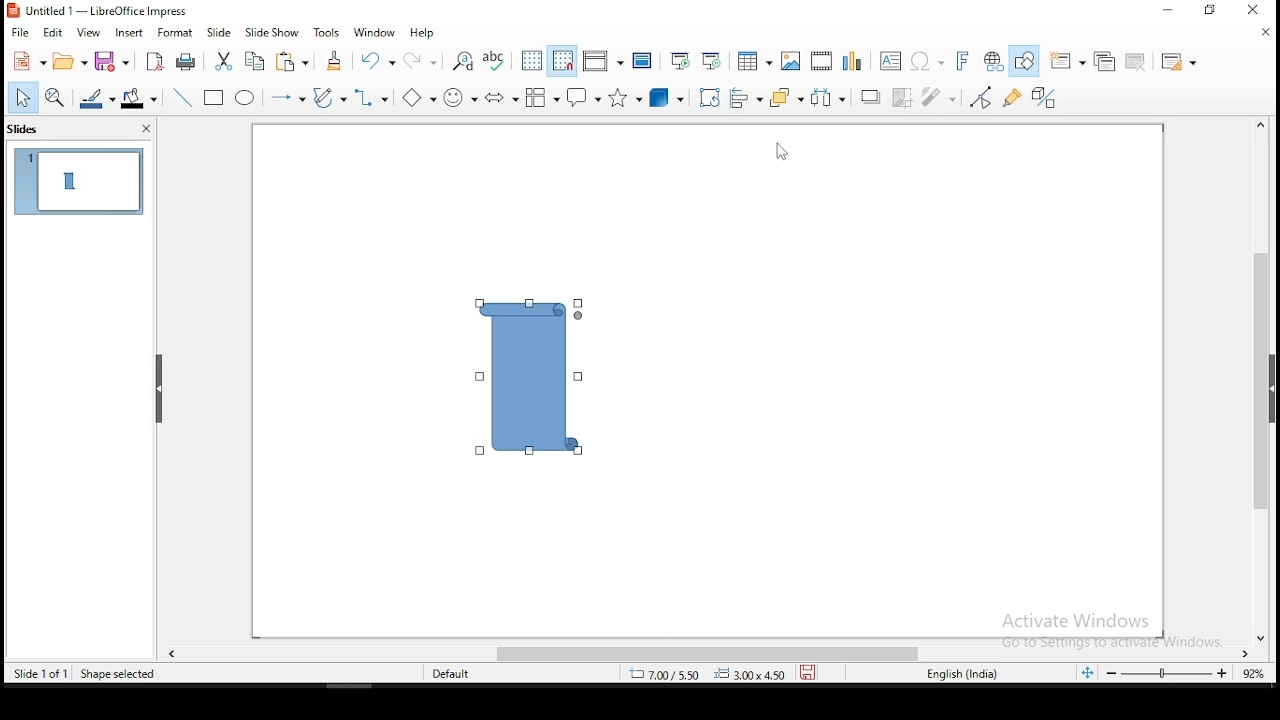  Describe the element at coordinates (28, 61) in the screenshot. I see `new` at that location.